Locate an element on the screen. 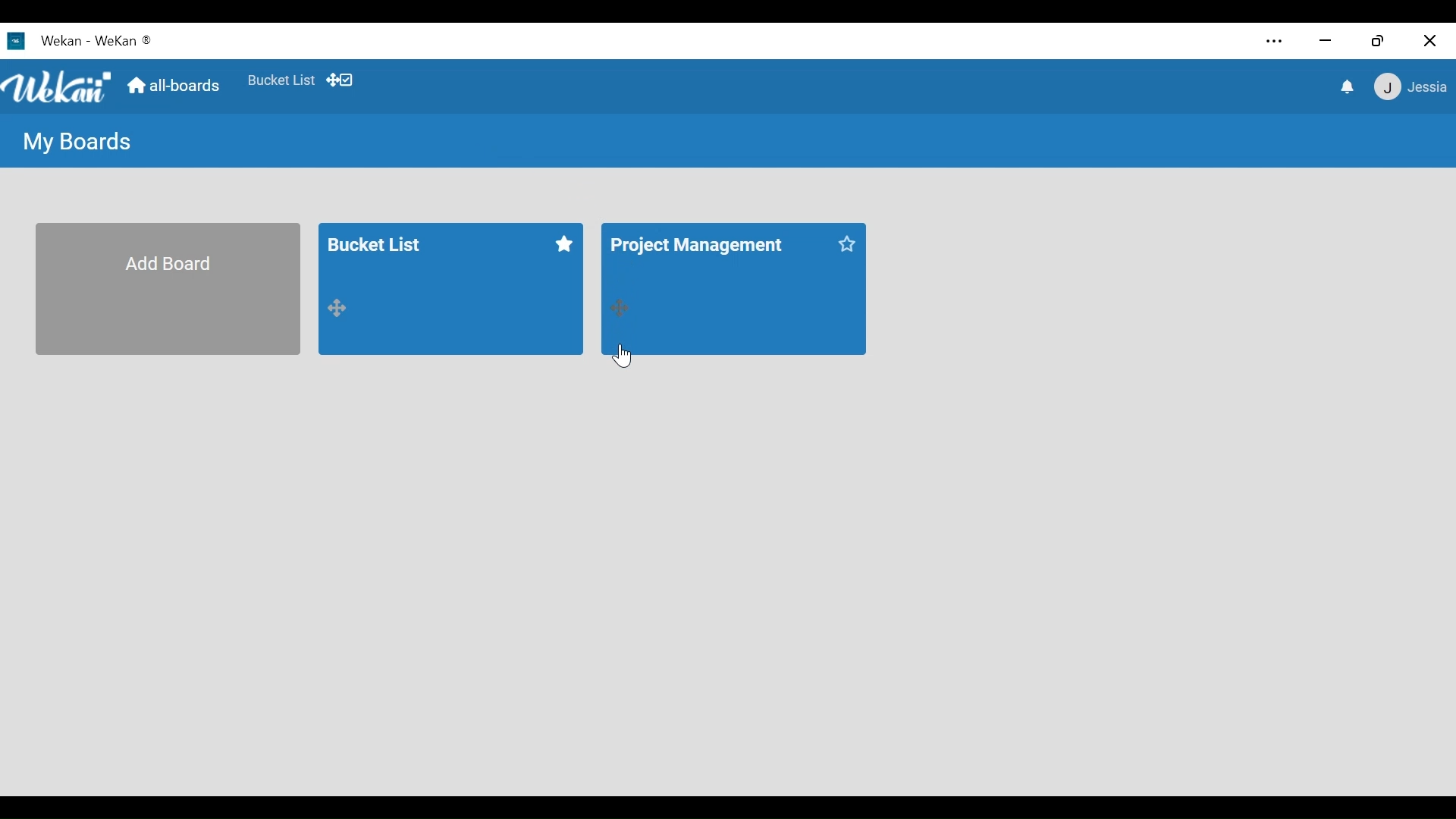 Image resolution: width=1456 pixels, height=819 pixels. board  1 is located at coordinates (450, 288).